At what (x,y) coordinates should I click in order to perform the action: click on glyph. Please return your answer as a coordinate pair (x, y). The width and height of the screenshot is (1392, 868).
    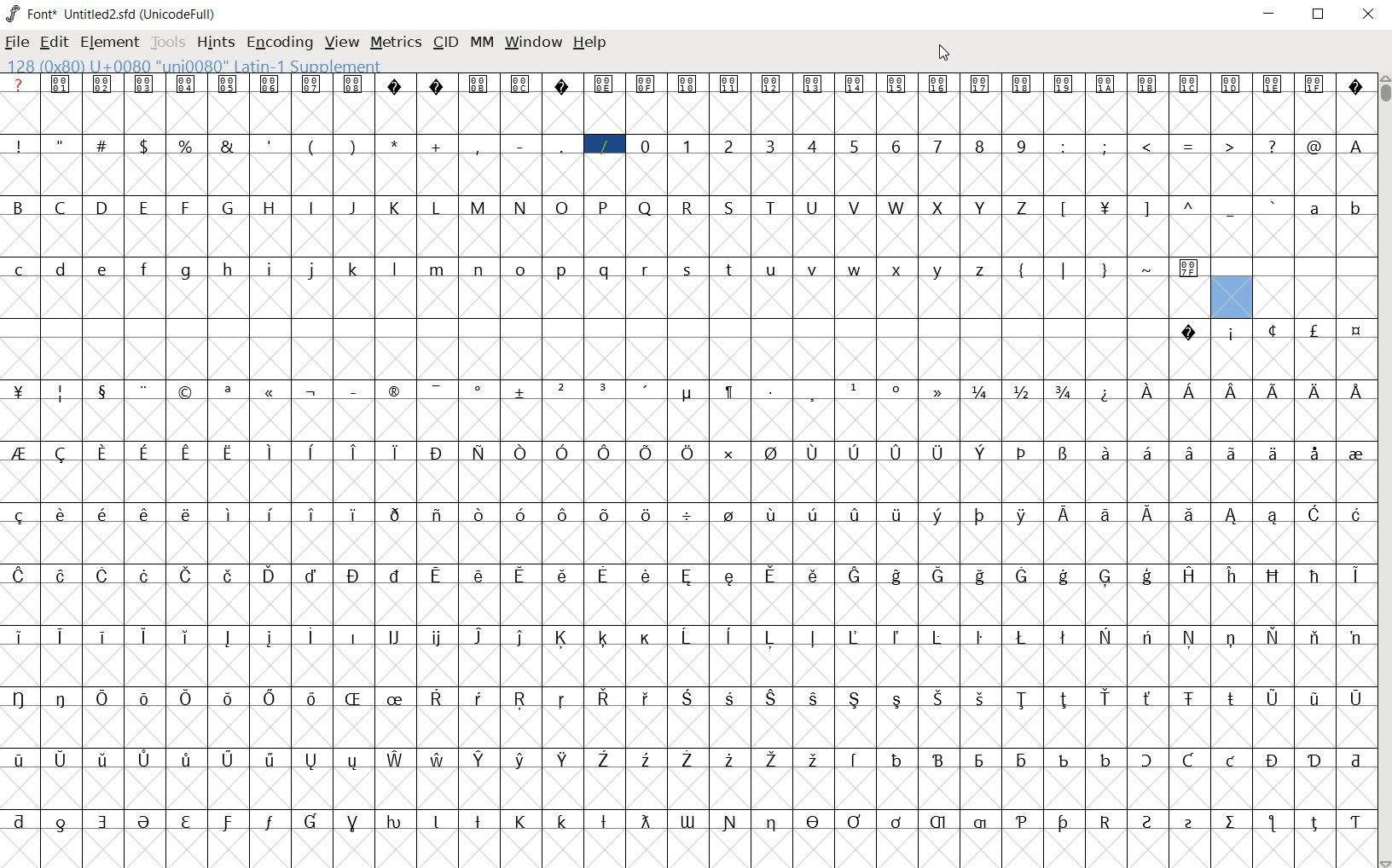
    Looking at the image, I should click on (1022, 637).